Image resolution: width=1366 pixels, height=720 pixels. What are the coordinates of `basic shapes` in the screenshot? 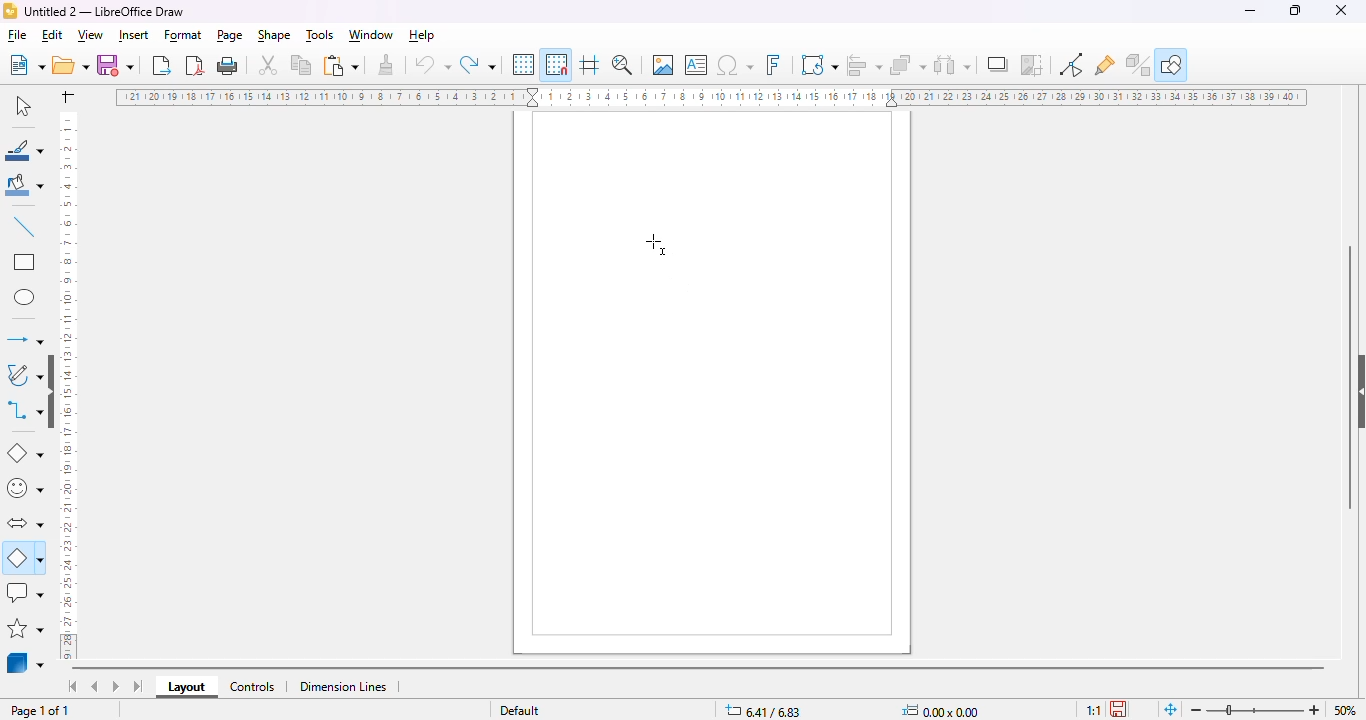 It's located at (26, 453).